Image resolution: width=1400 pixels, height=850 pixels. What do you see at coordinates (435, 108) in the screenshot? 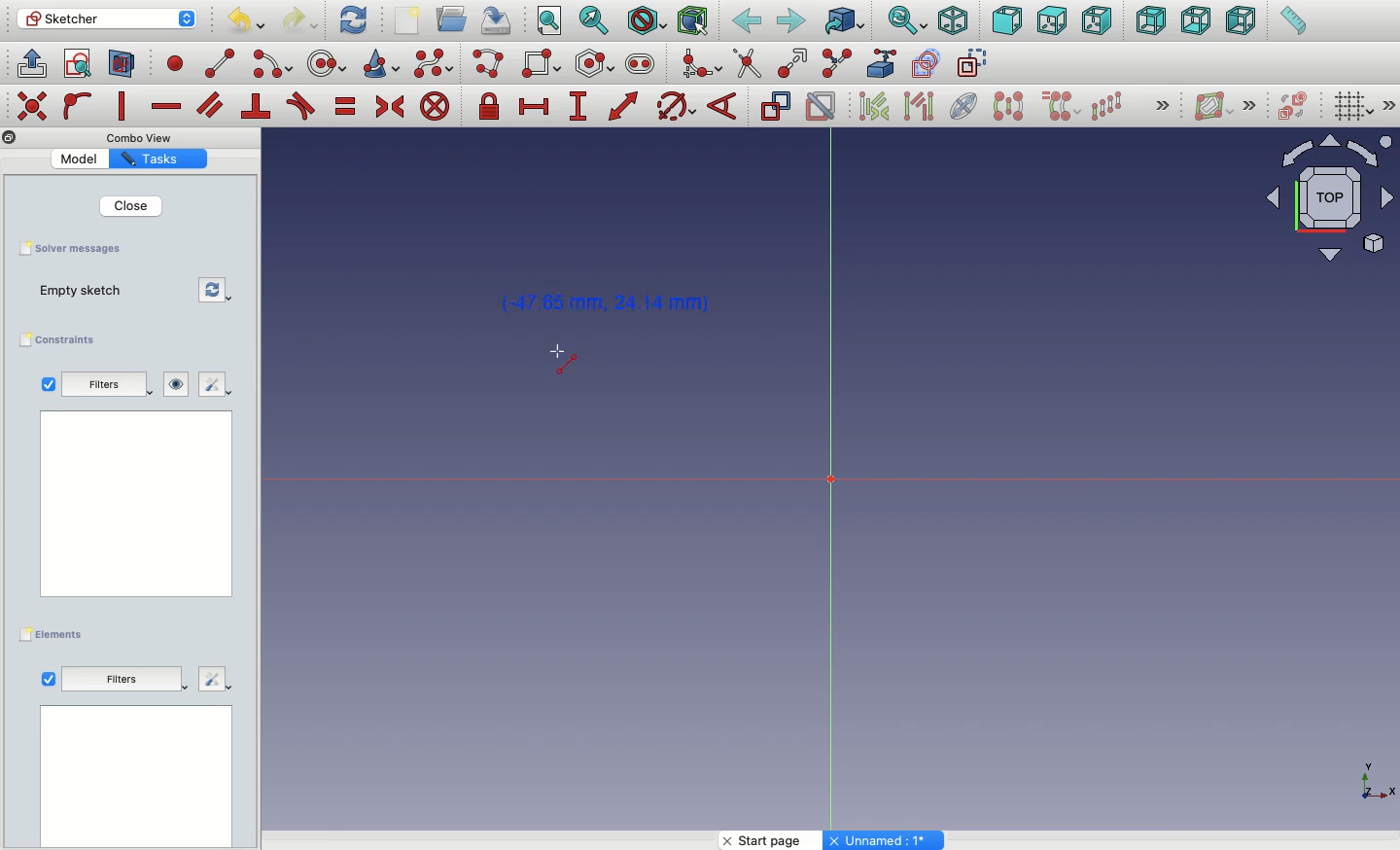
I see `Constrain block` at bounding box center [435, 108].